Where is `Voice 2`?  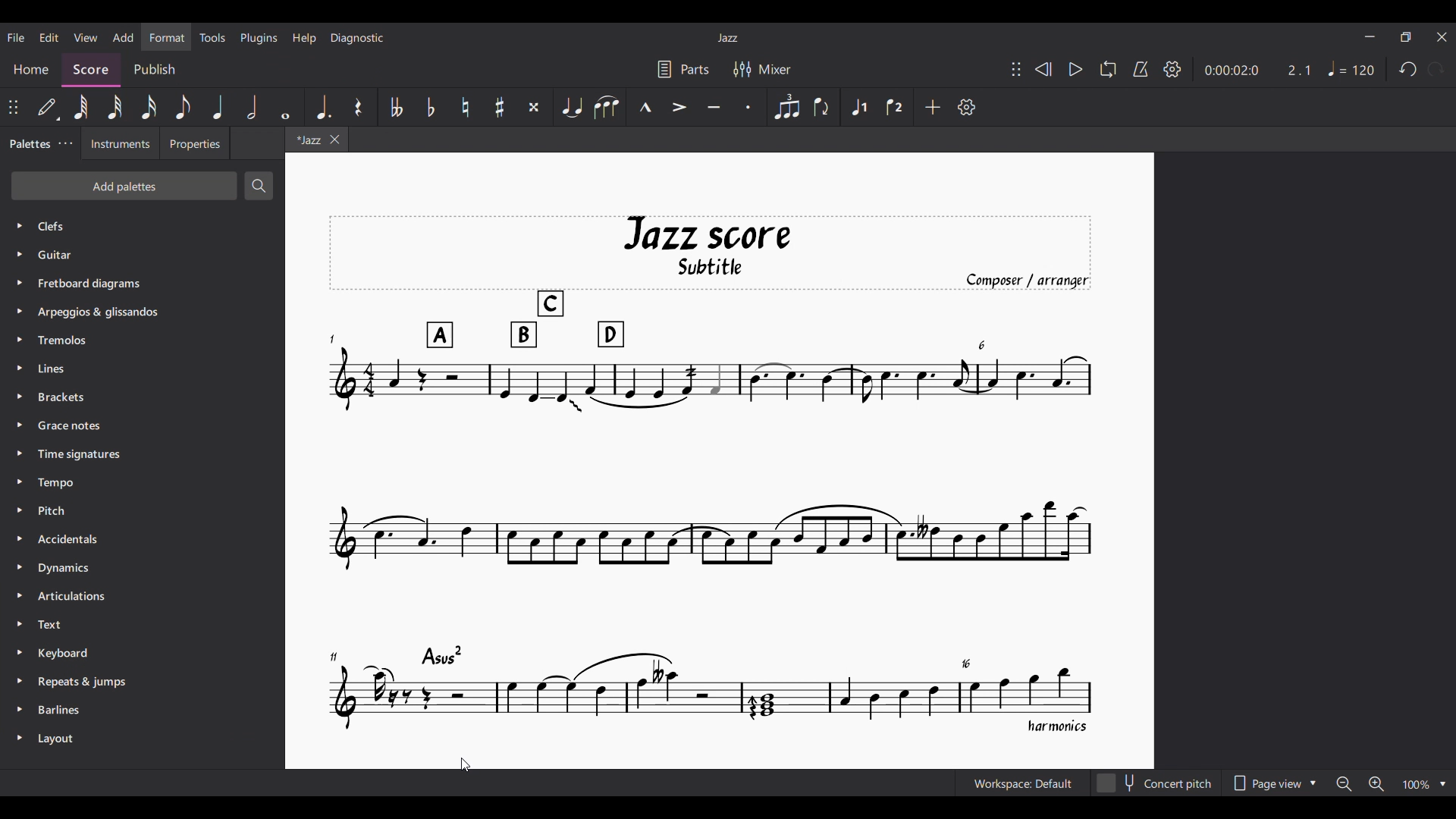
Voice 2 is located at coordinates (894, 107).